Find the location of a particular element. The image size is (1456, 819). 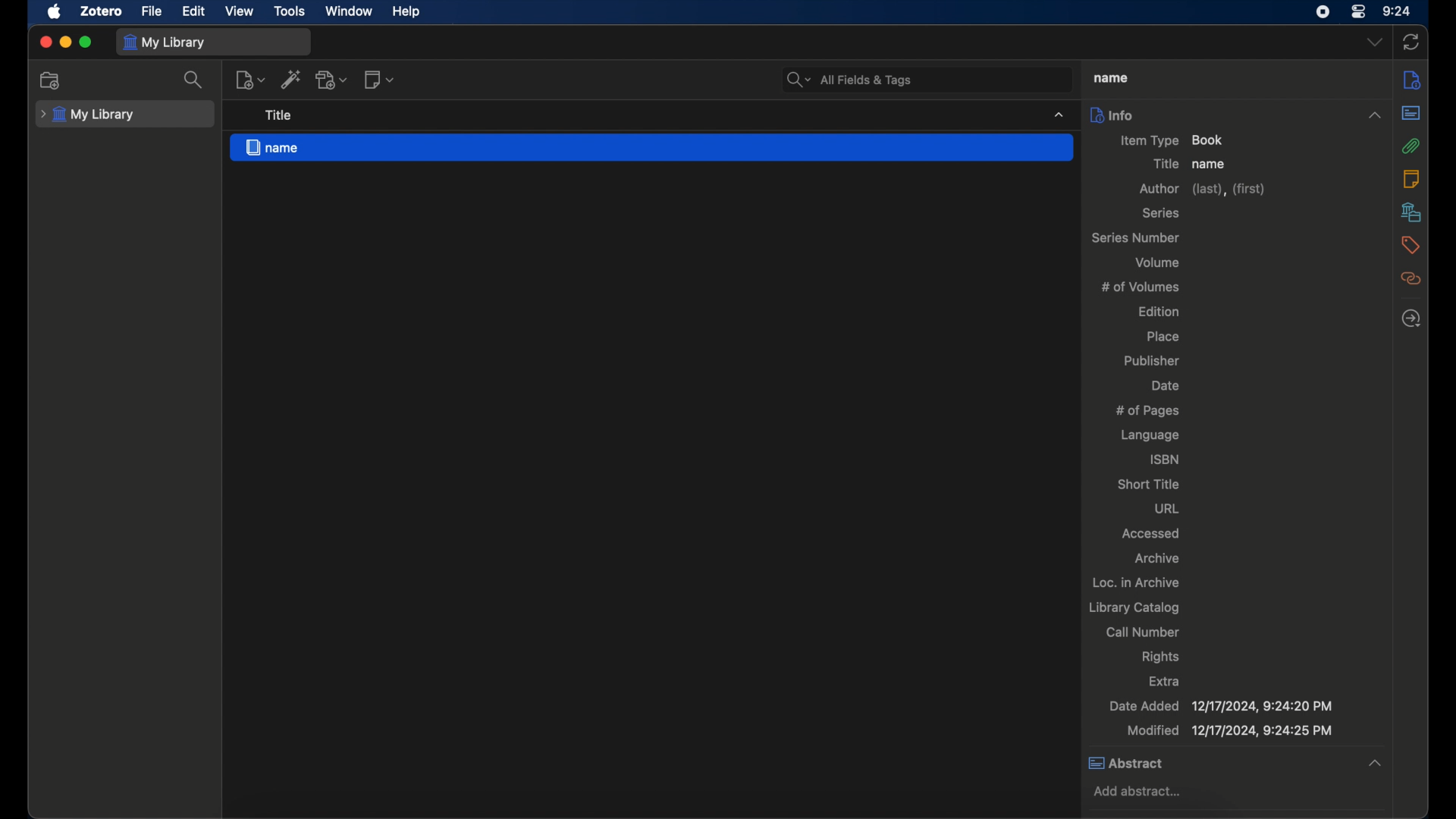

name is located at coordinates (651, 148).